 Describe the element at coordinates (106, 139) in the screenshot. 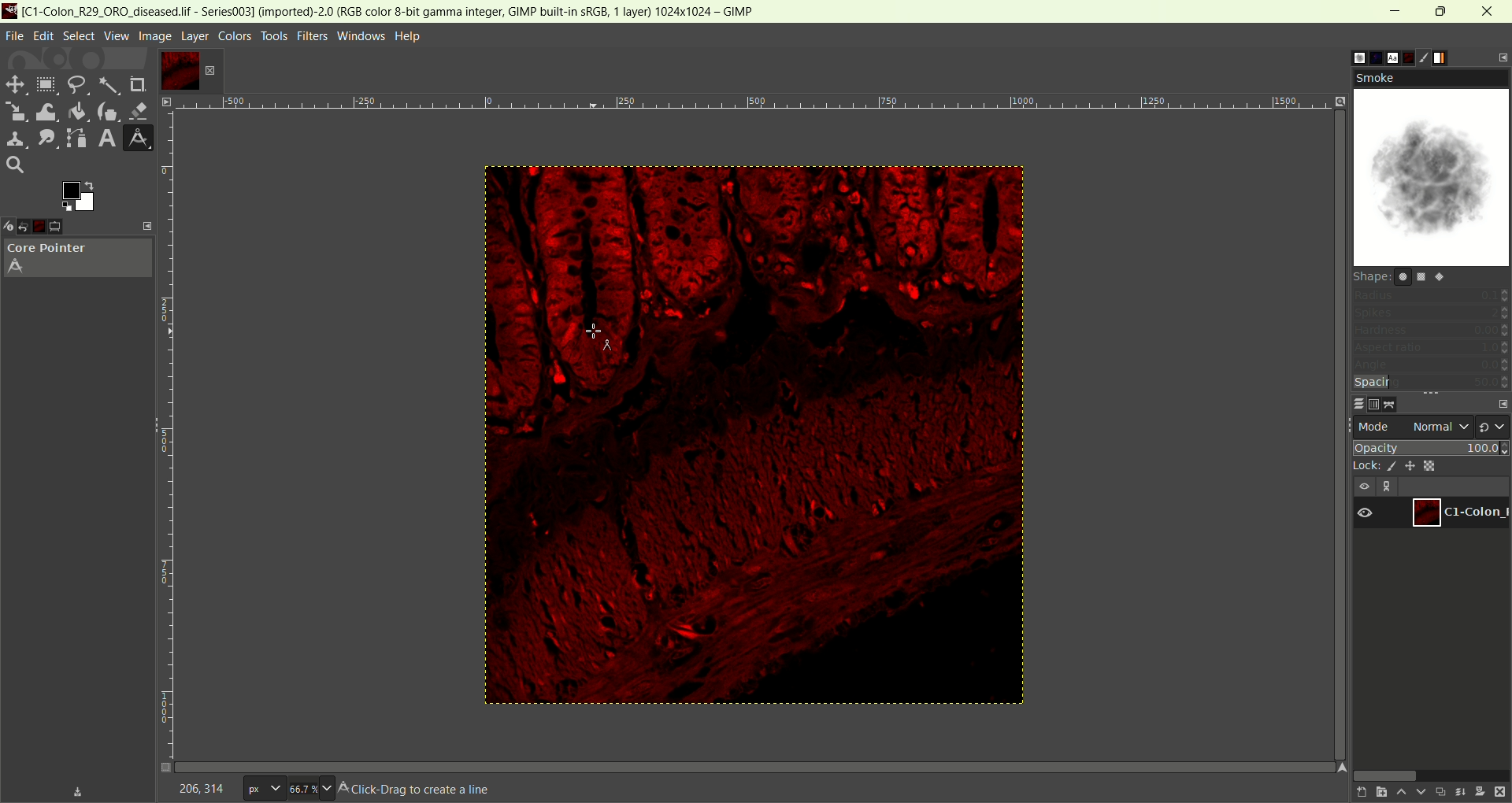

I see `text tool` at that location.